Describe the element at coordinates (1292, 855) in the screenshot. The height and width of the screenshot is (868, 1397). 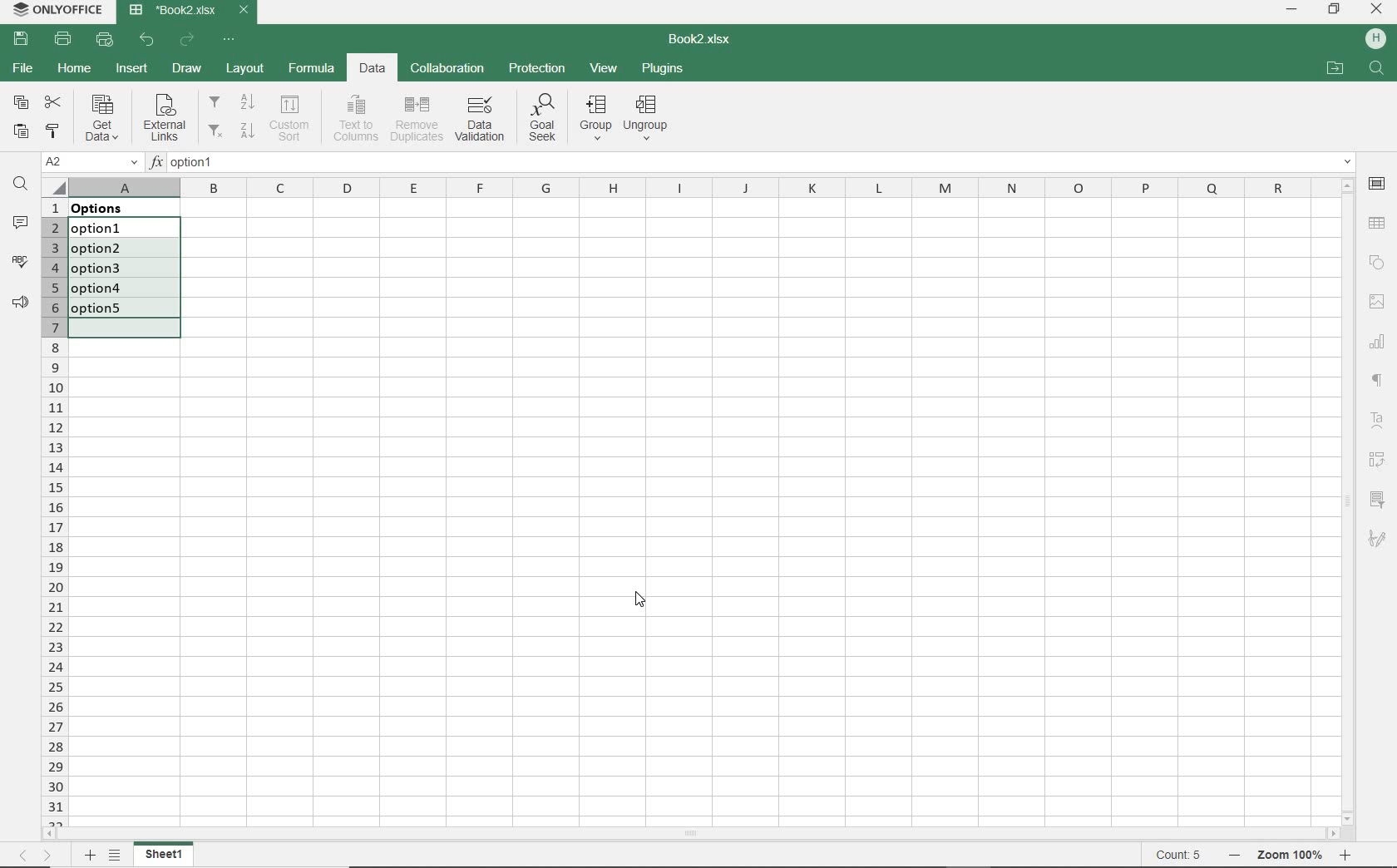
I see `Zoom 100%` at that location.